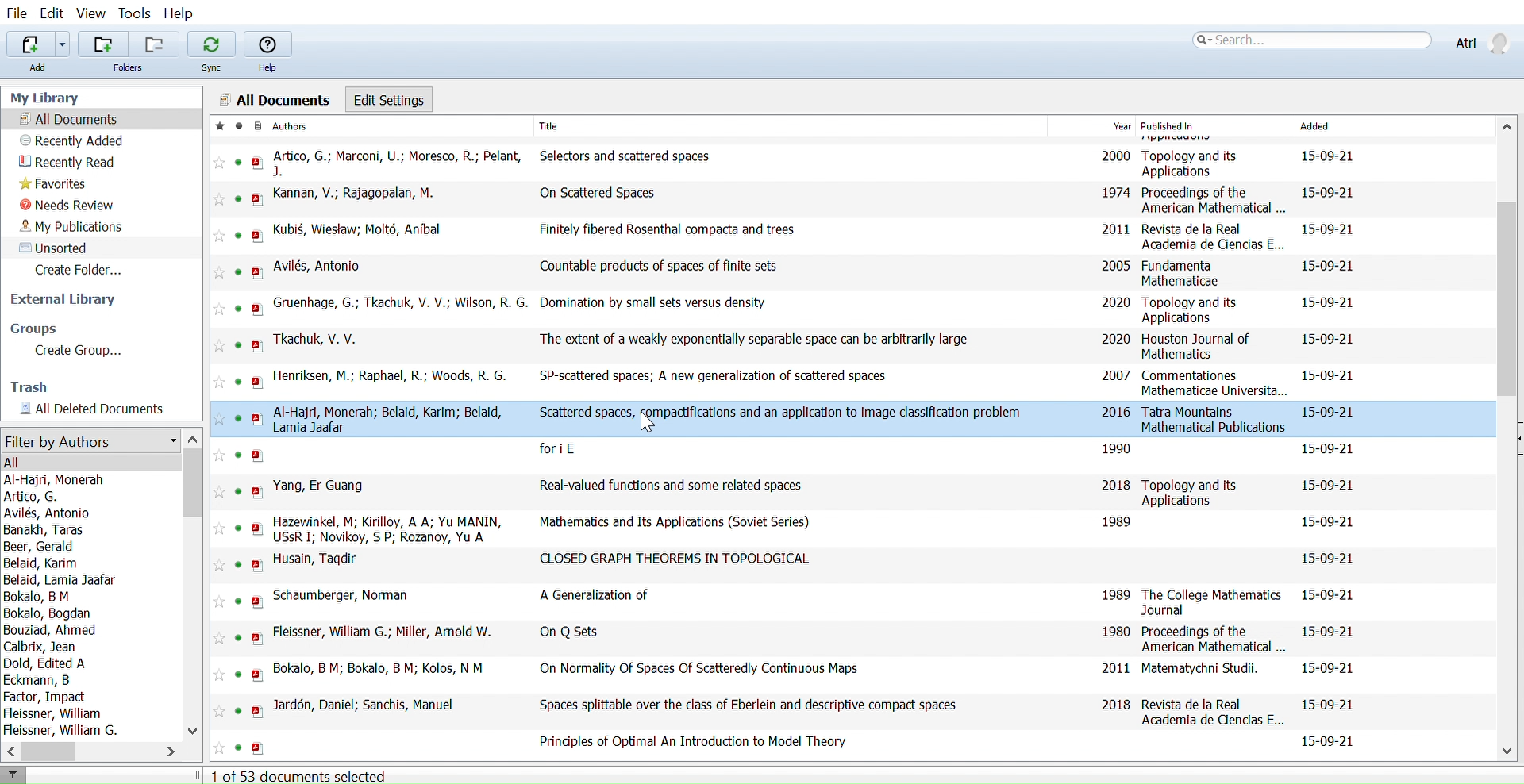  I want to click on ~ Domination by small sets versus density, so click(658, 302).